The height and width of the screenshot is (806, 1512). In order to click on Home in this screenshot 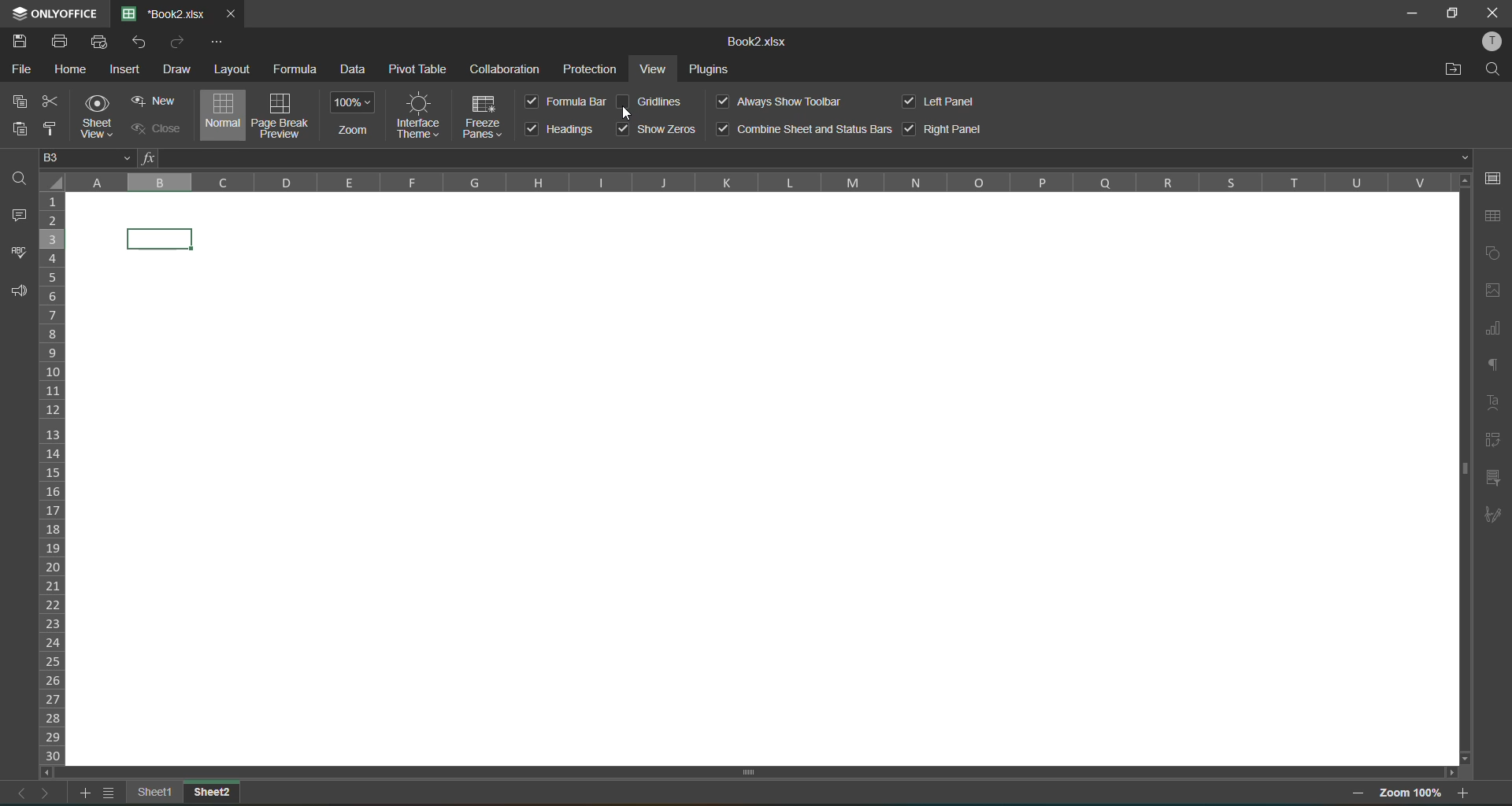, I will do `click(72, 69)`.